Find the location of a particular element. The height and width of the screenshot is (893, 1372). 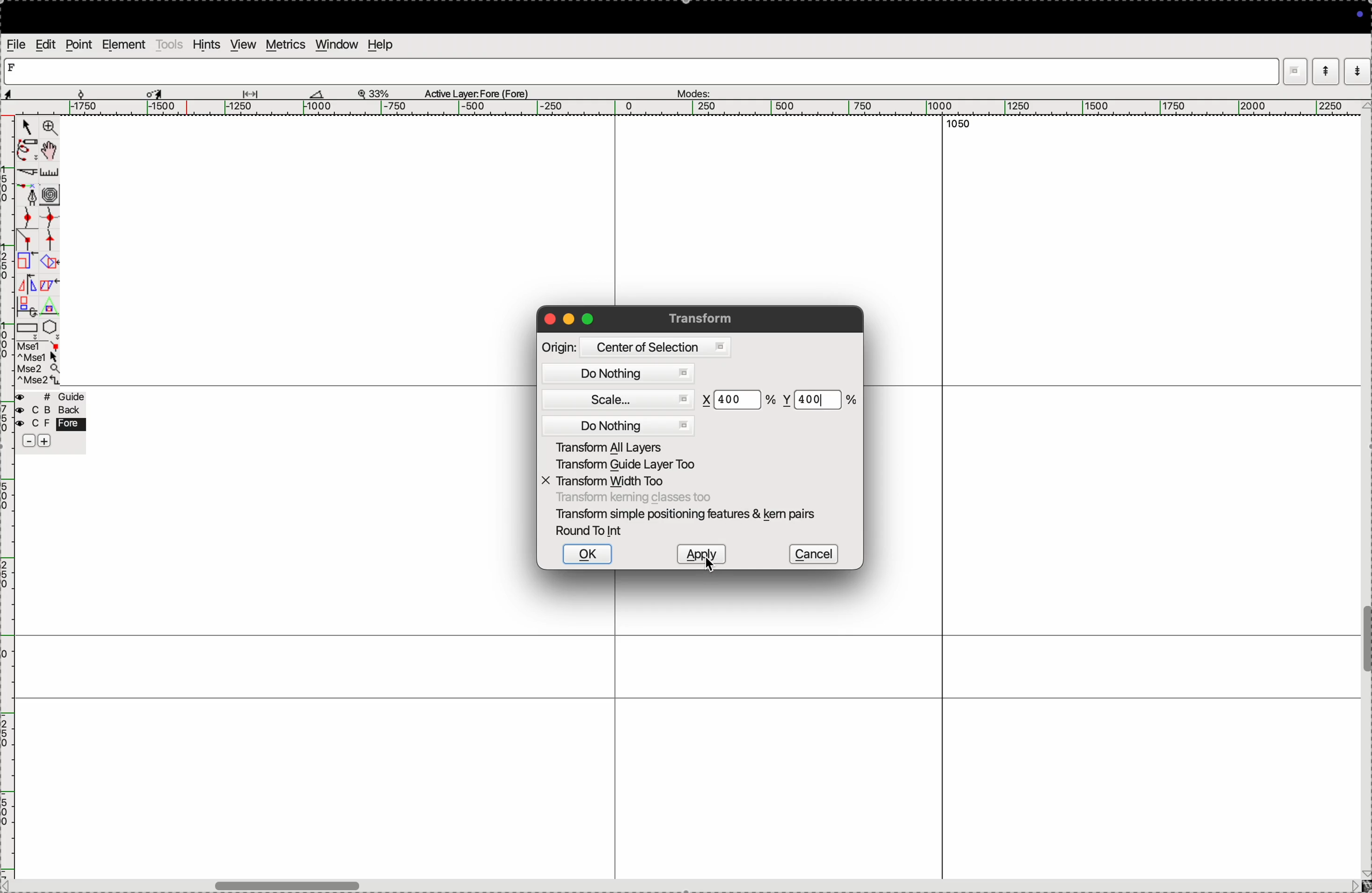

view is located at coordinates (242, 44).